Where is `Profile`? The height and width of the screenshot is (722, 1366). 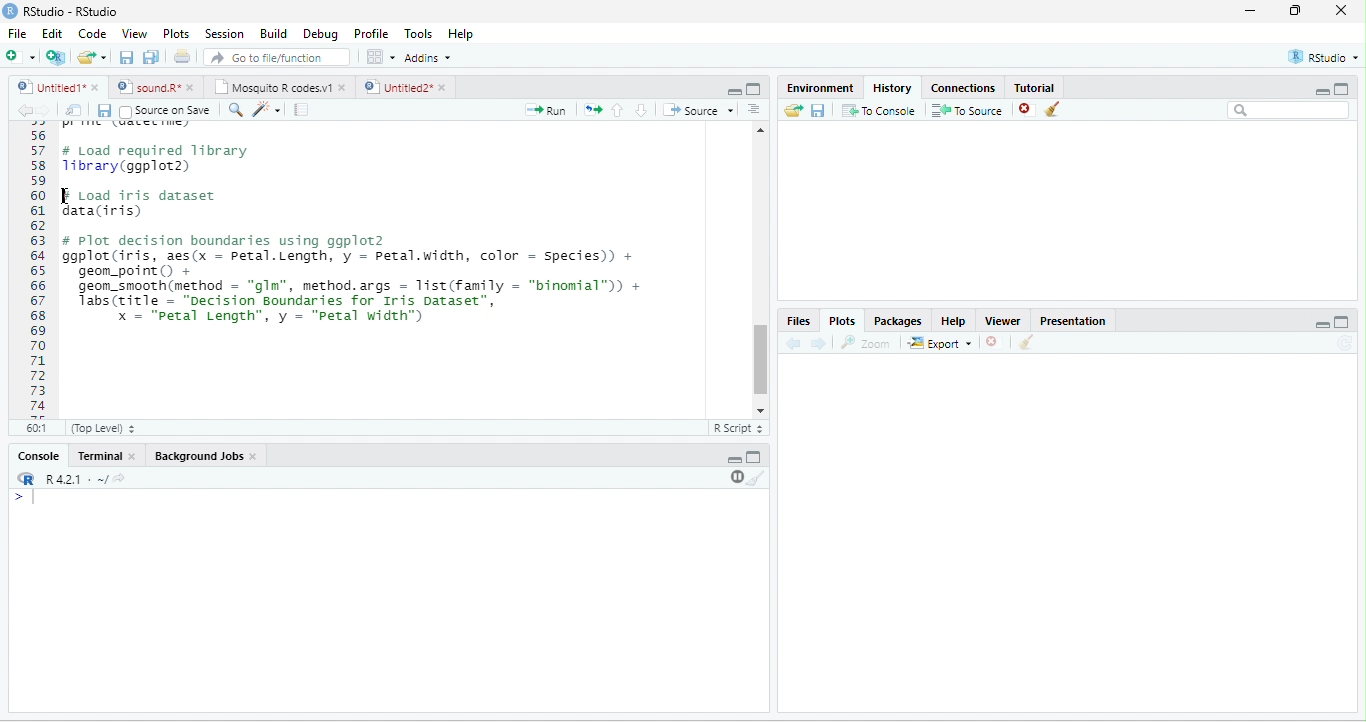
Profile is located at coordinates (373, 34).